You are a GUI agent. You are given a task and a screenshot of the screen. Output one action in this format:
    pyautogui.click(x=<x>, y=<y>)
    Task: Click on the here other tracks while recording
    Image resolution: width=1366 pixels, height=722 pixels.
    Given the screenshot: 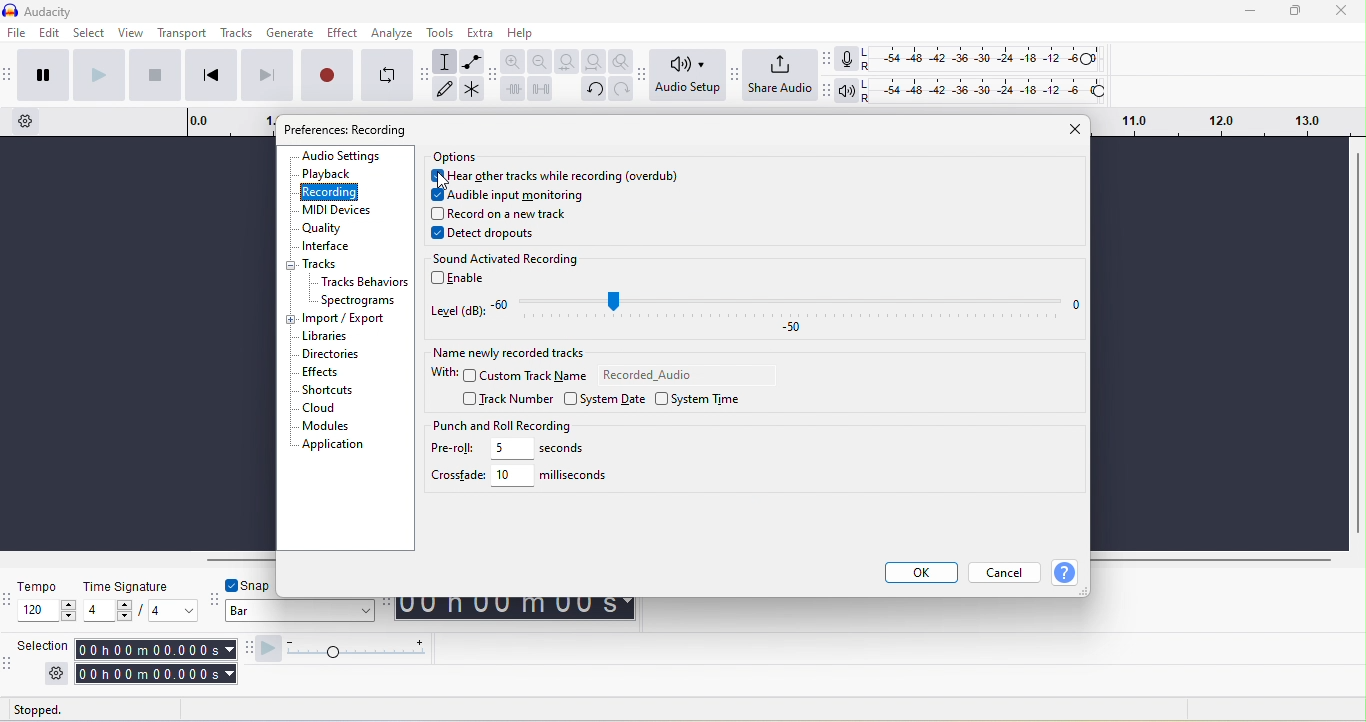 What is the action you would take?
    pyautogui.click(x=559, y=175)
    